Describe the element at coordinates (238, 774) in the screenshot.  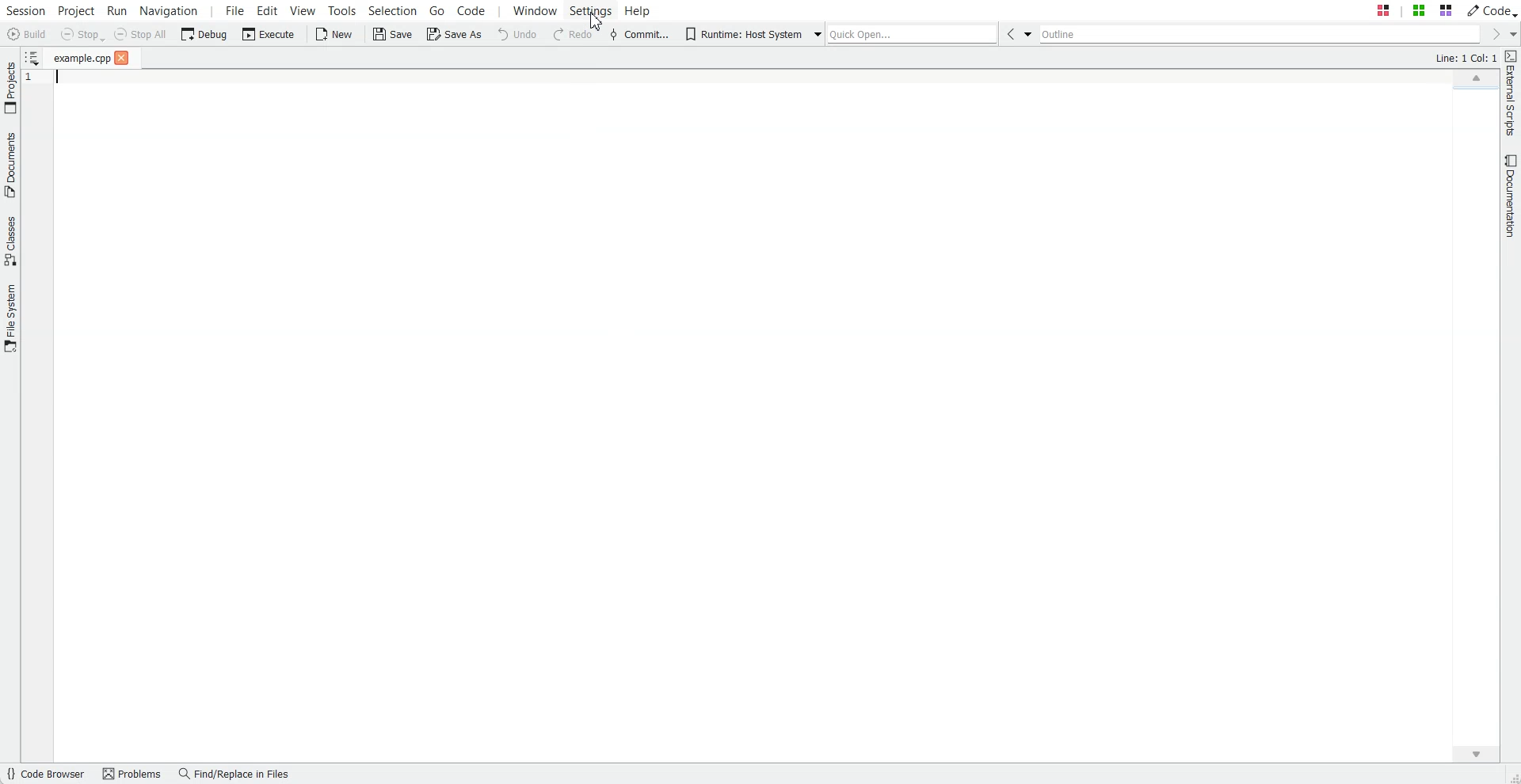
I see `Find/Replace in files` at that location.